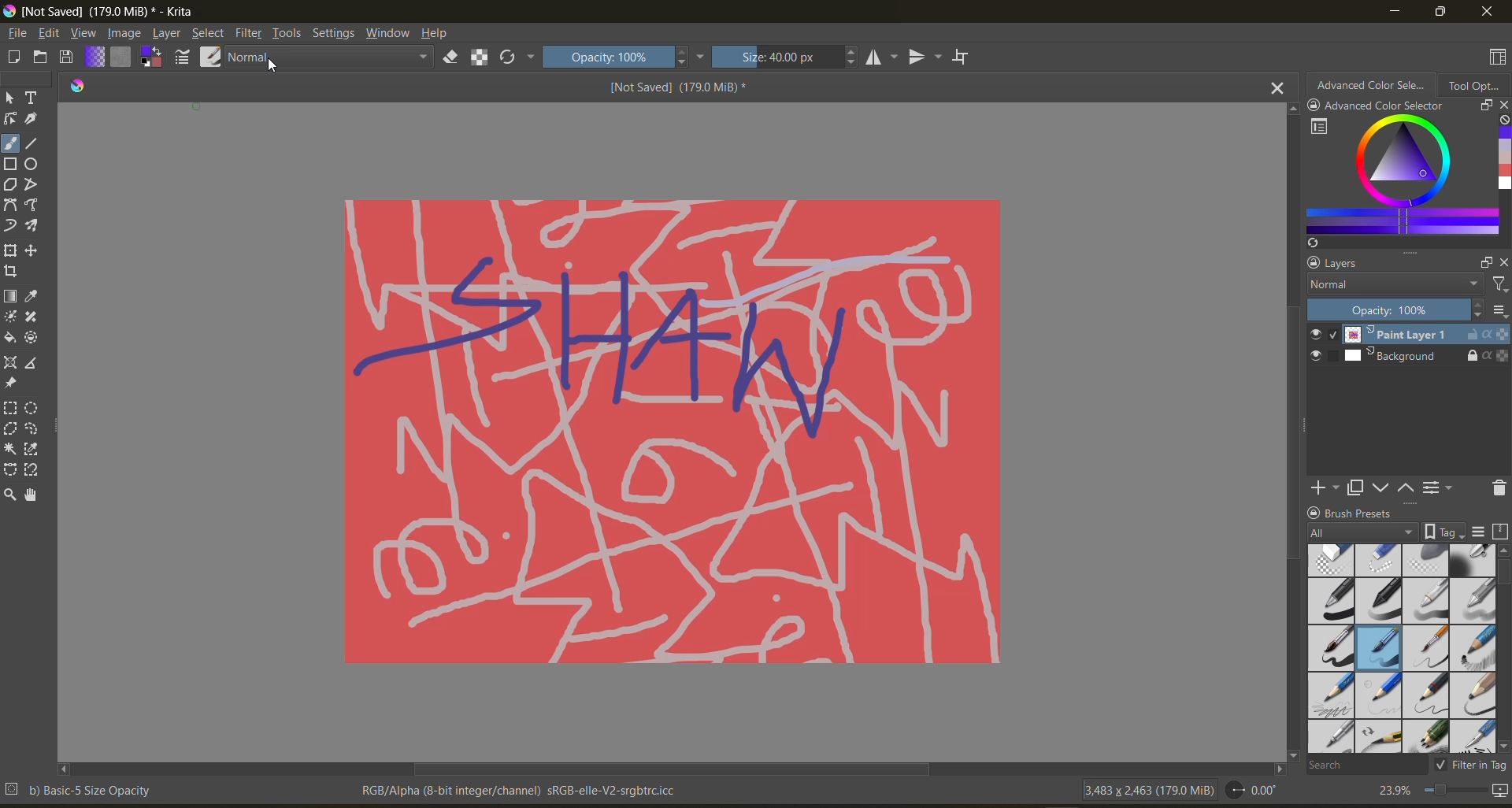 The image size is (1512, 808). What do you see at coordinates (10, 205) in the screenshot?
I see `bezier curve tool` at bounding box center [10, 205].